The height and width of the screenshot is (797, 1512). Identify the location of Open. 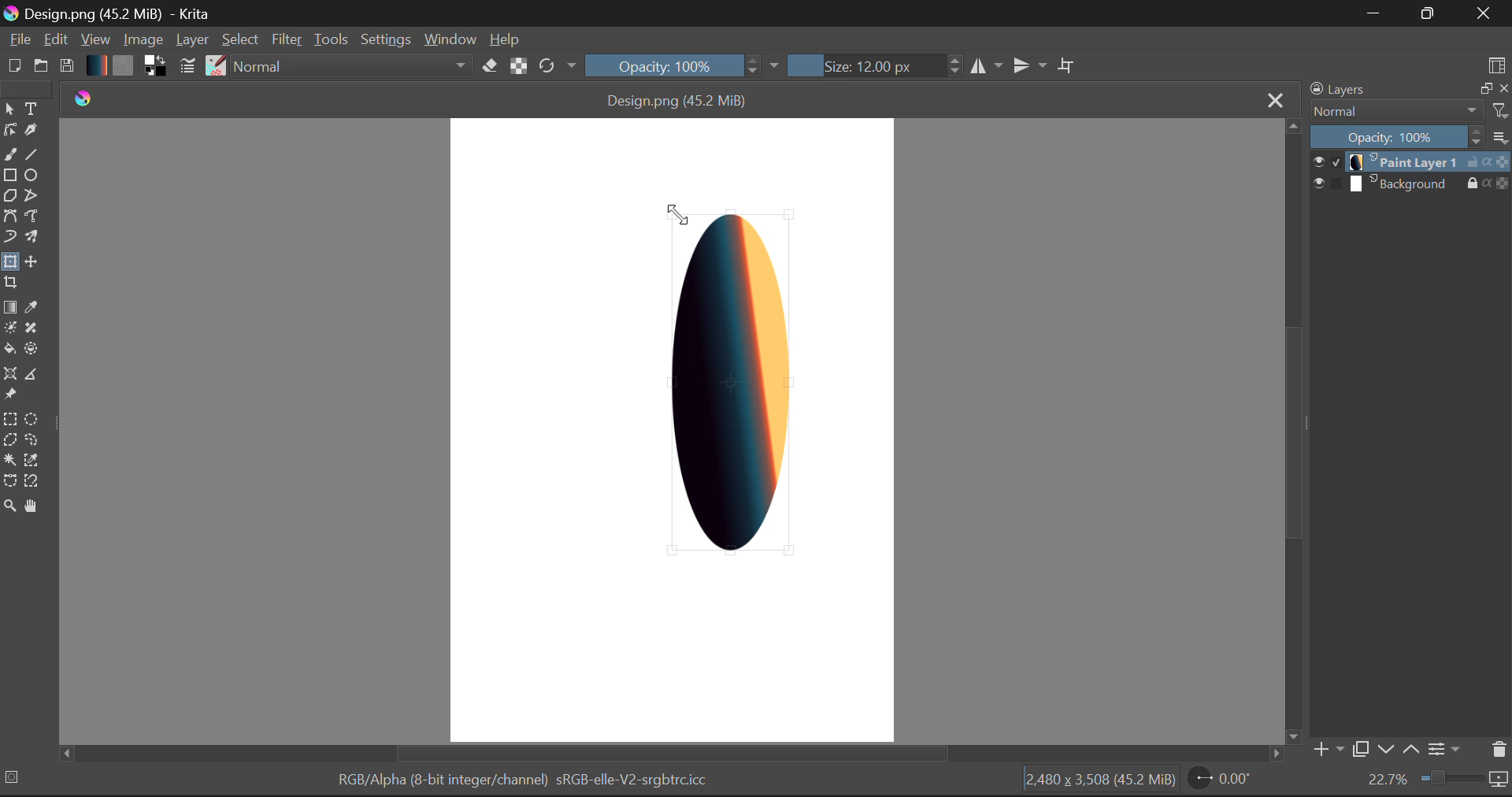
(41, 66).